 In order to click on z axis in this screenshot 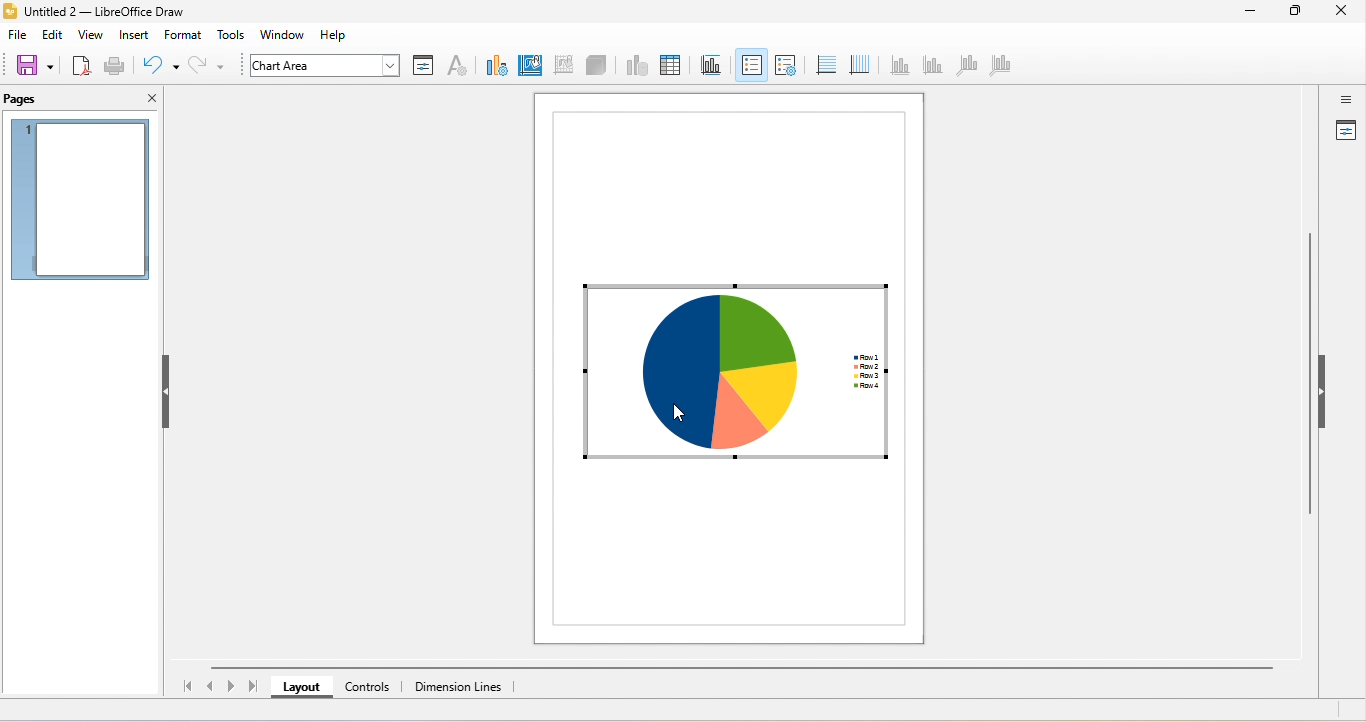, I will do `click(964, 65)`.